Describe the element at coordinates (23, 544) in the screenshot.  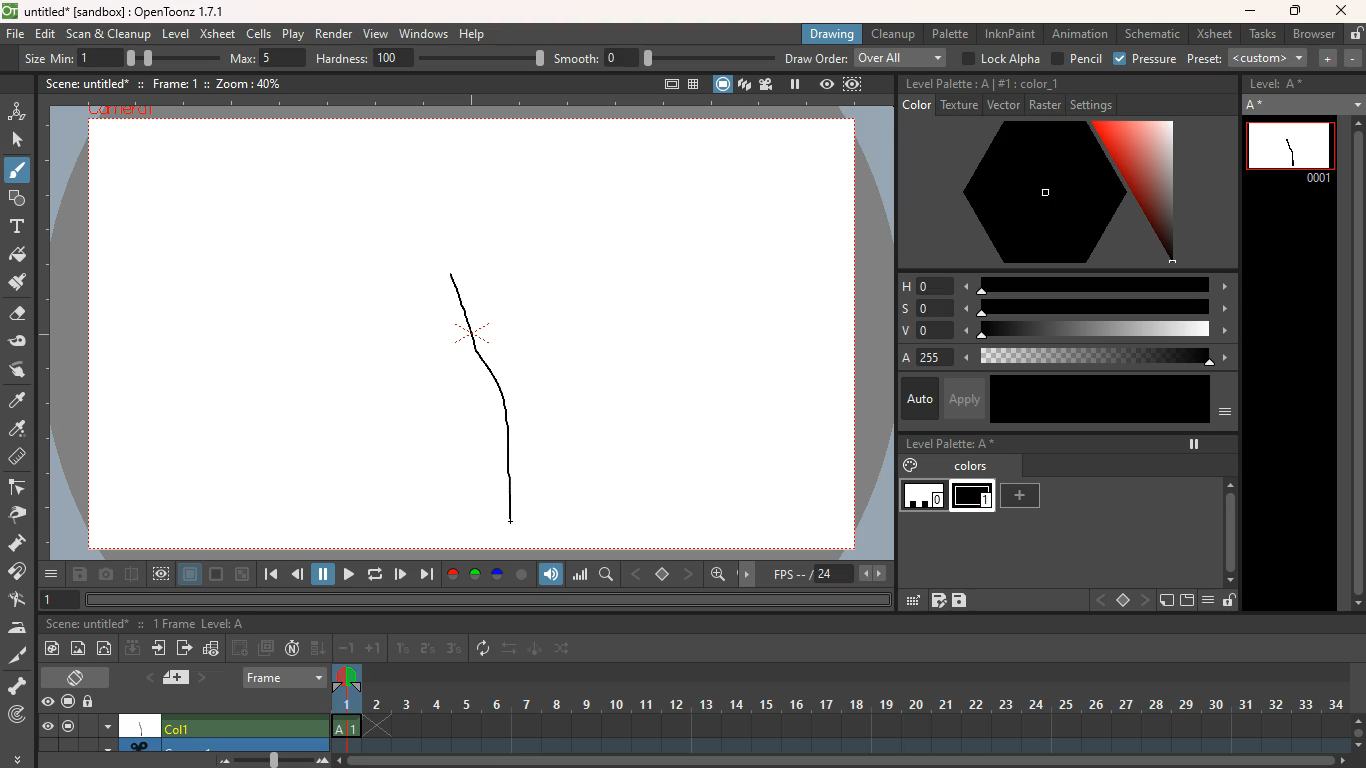
I see `pump` at that location.